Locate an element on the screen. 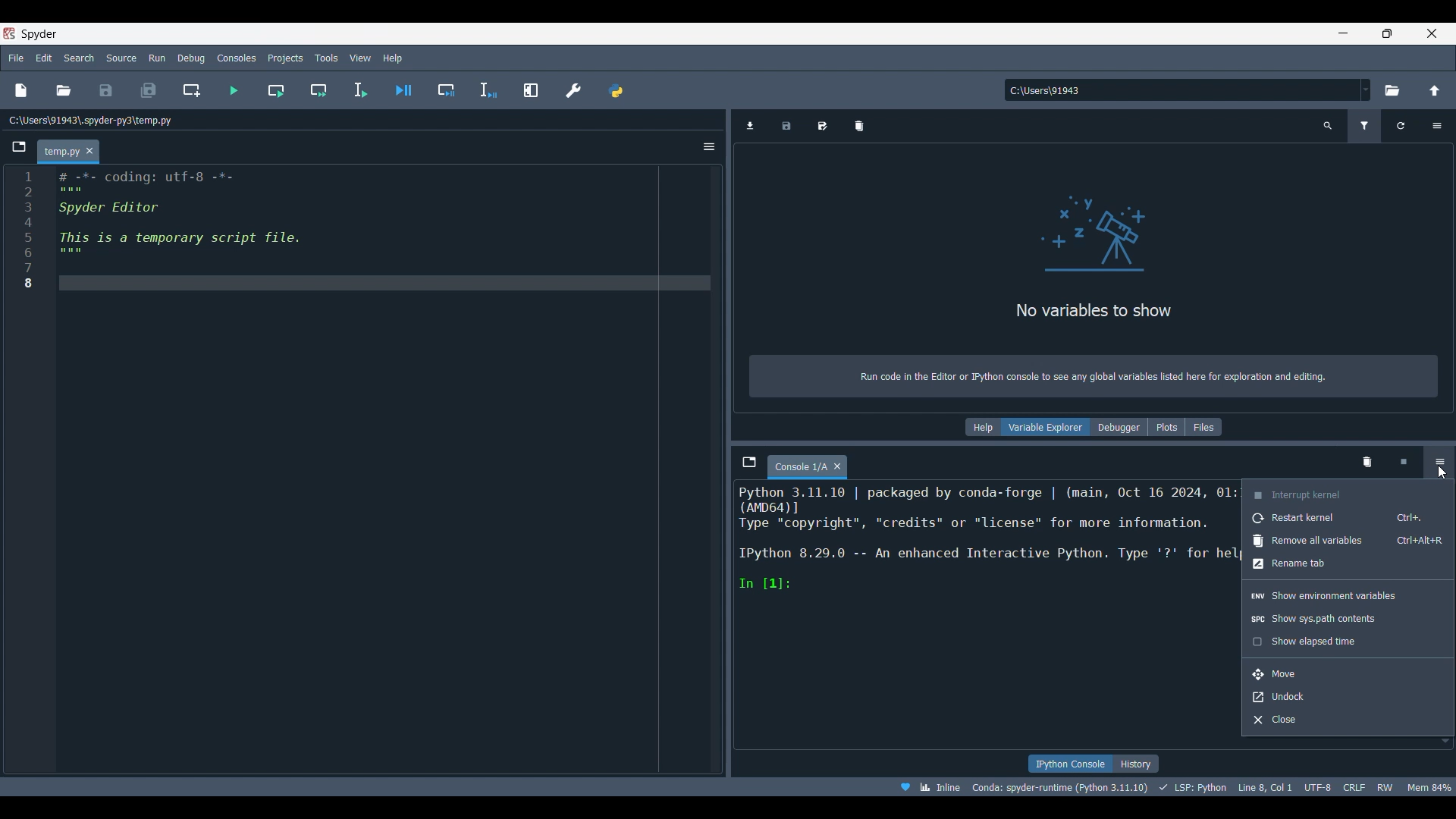 The image size is (1456, 819). Browse working directory is located at coordinates (1392, 90).